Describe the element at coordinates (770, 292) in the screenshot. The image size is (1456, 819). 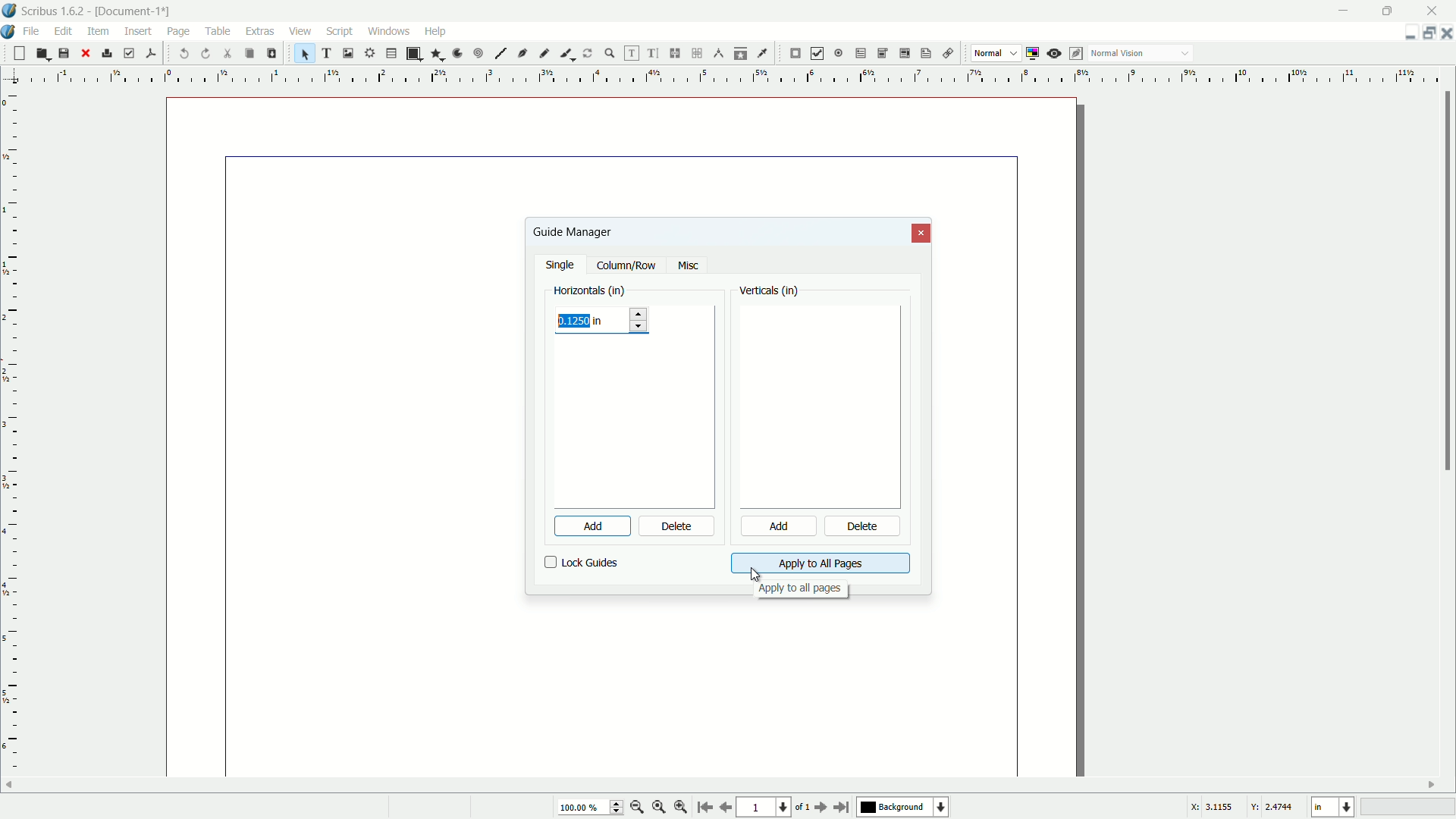
I see `verticals` at that location.